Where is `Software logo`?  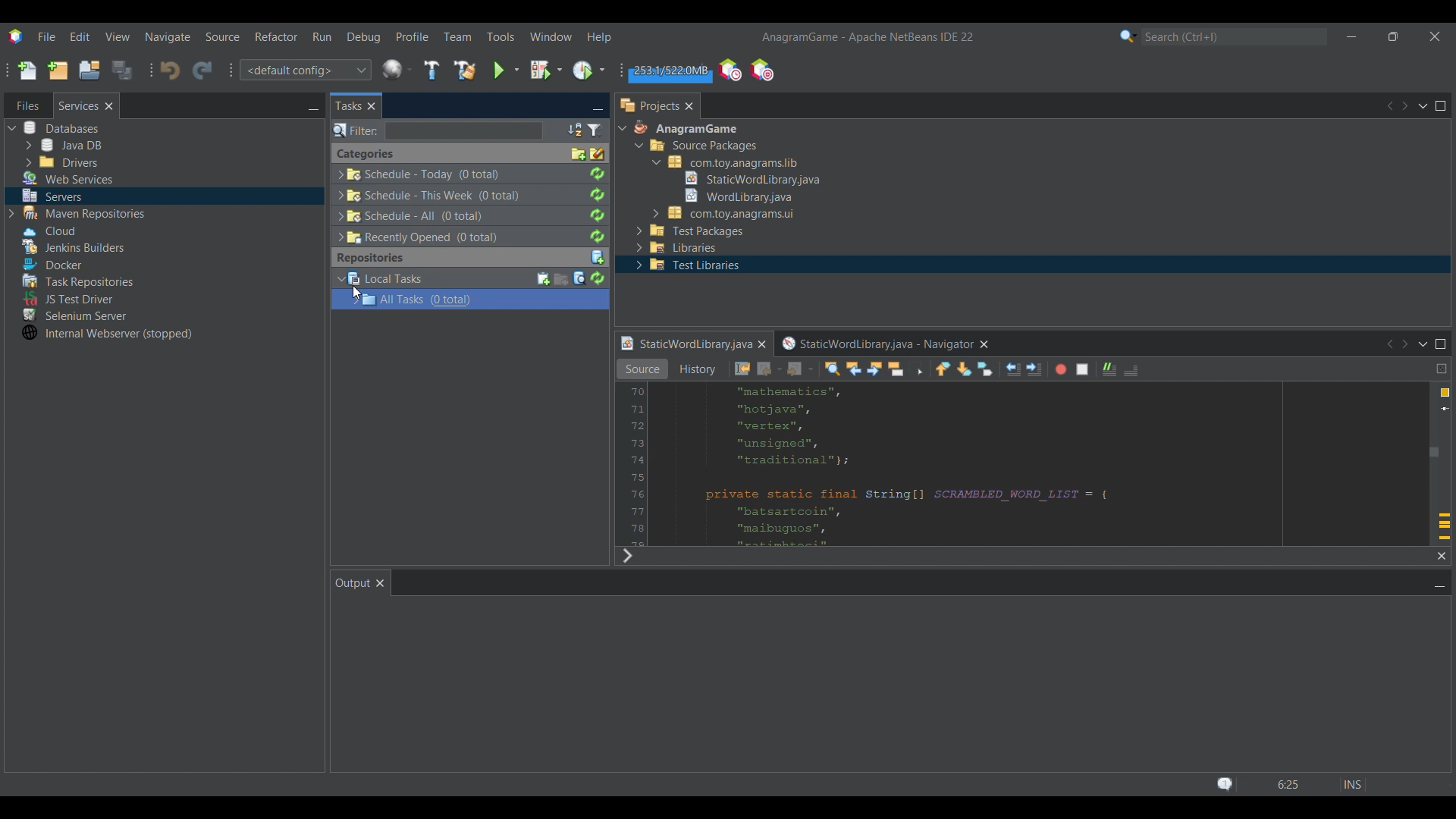 Software logo is located at coordinates (16, 36).